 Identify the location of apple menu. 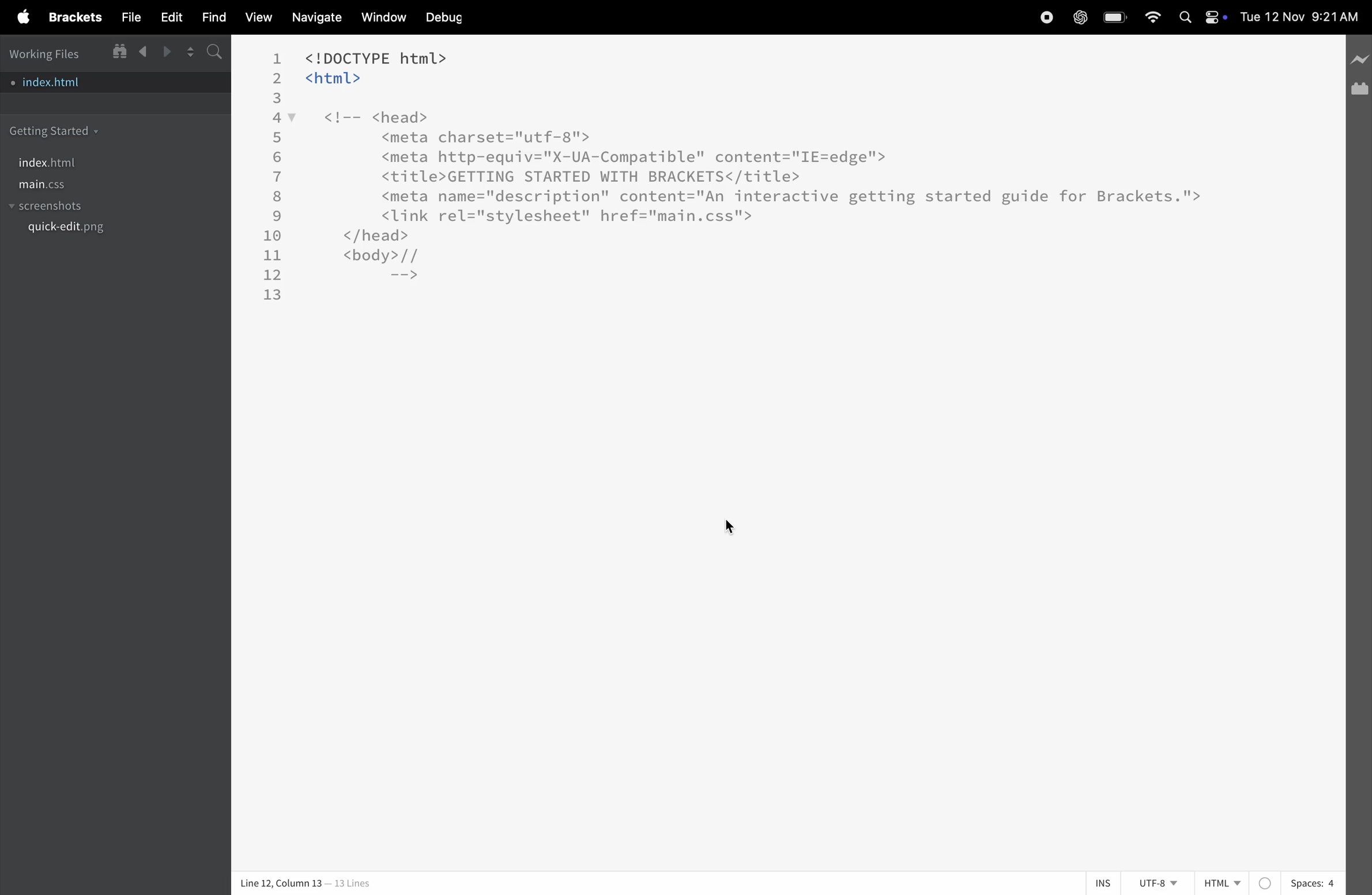
(20, 17).